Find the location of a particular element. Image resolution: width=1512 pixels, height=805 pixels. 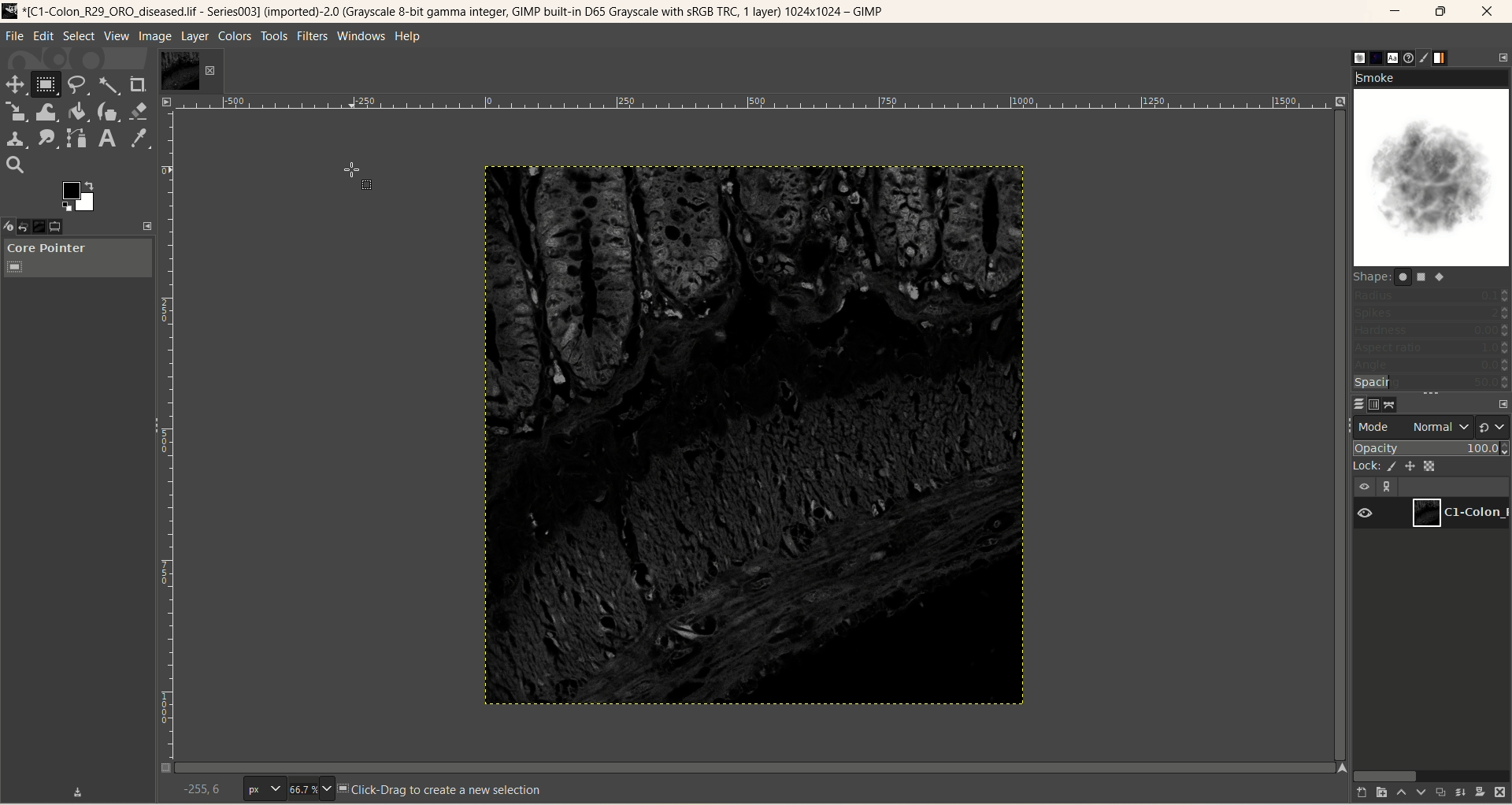

mode is located at coordinates (1375, 426).